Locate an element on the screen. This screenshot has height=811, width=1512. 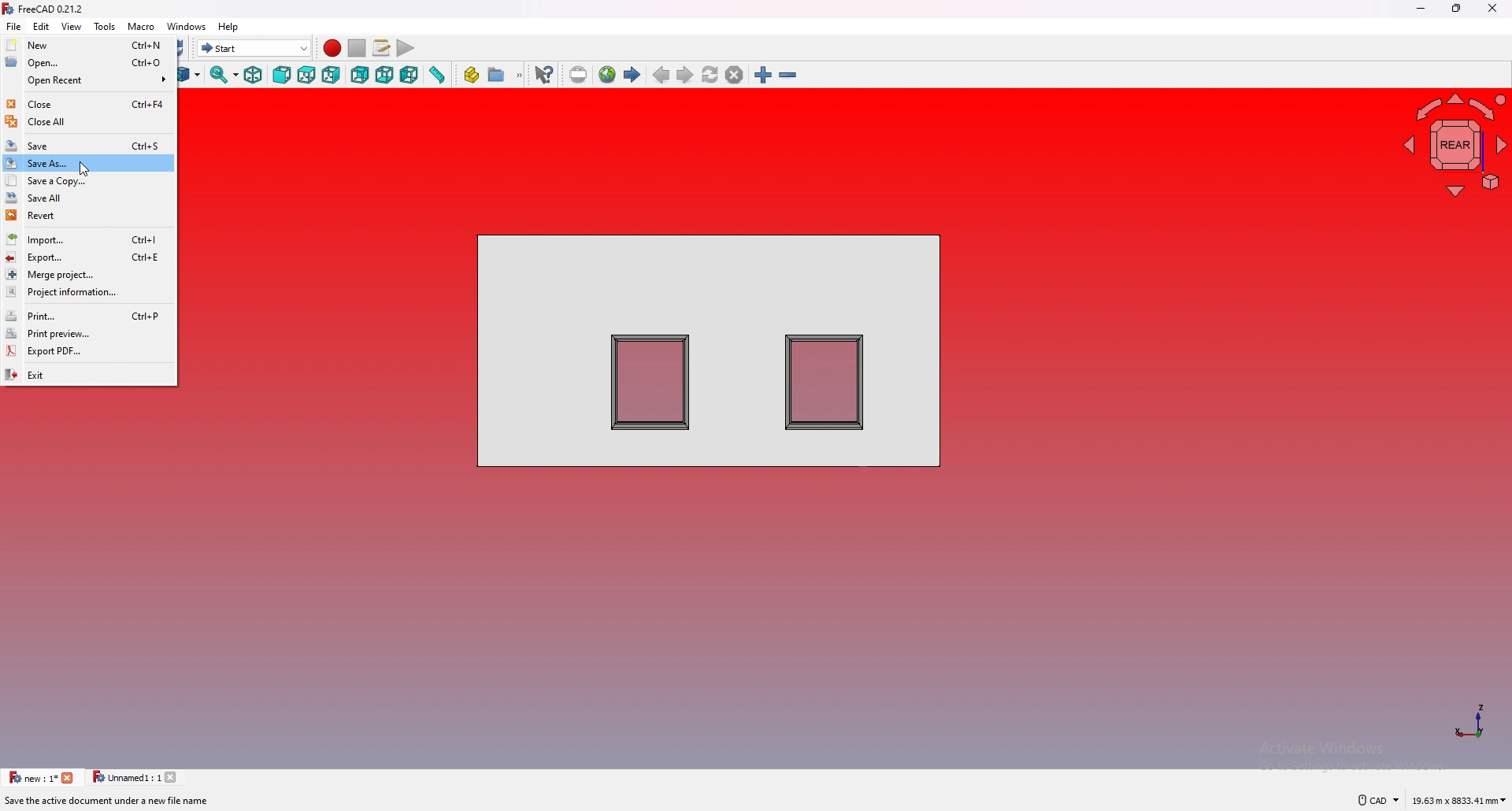
refresh web page is located at coordinates (710, 73).